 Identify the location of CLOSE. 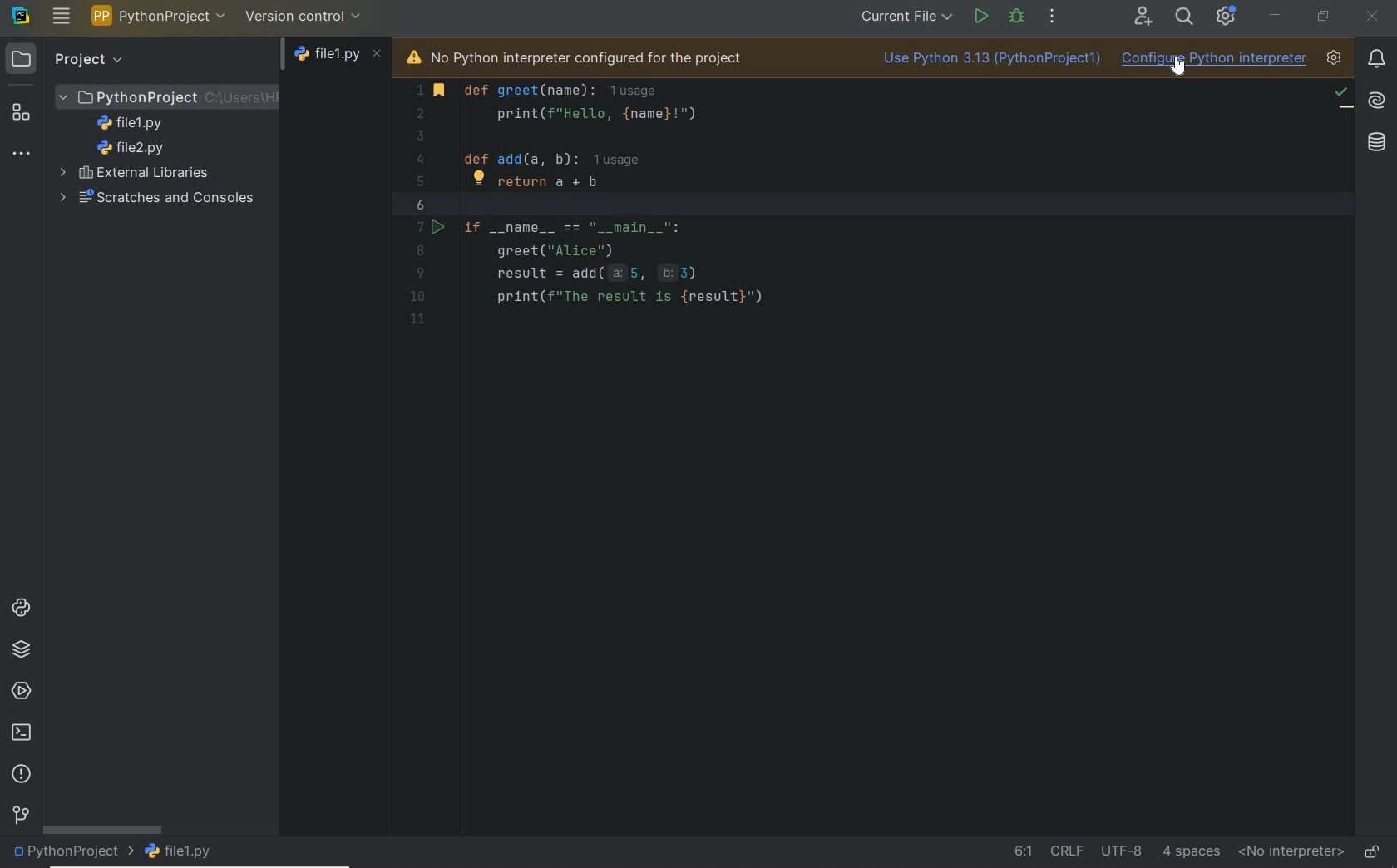
(1373, 18).